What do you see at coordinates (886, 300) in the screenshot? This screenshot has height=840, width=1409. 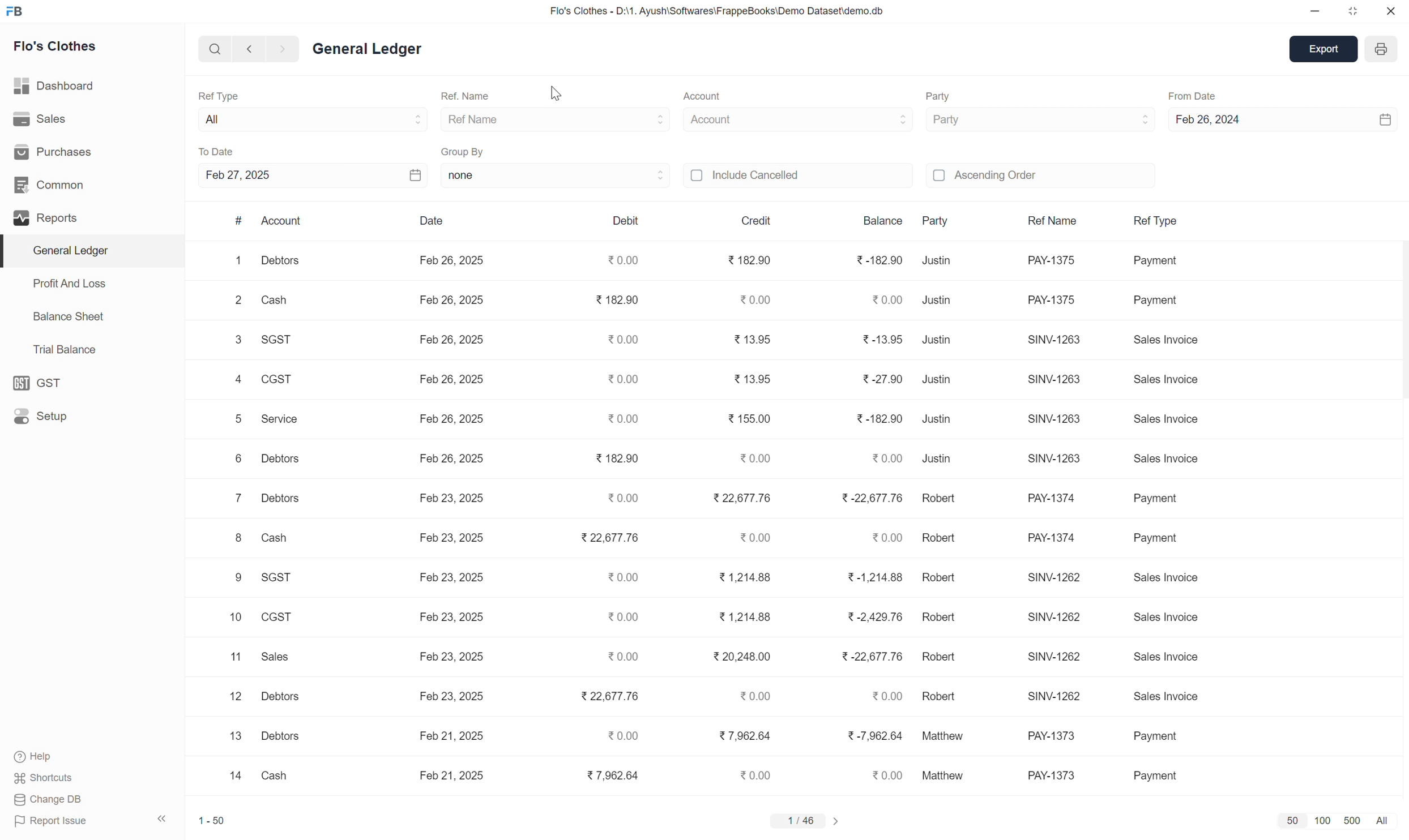 I see `0.00` at bounding box center [886, 300].